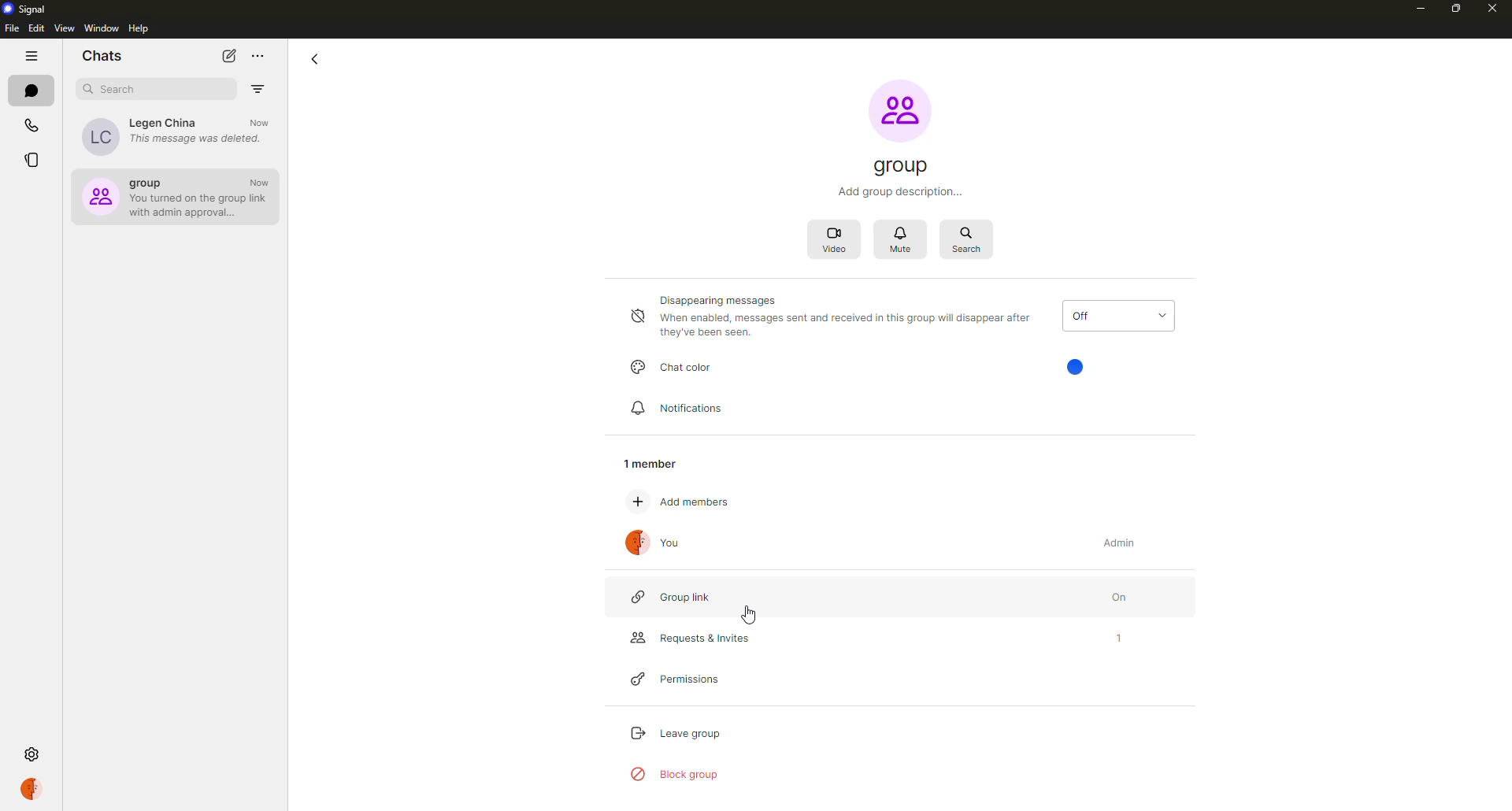 The height and width of the screenshot is (811, 1512). I want to click on leave group, so click(674, 731).